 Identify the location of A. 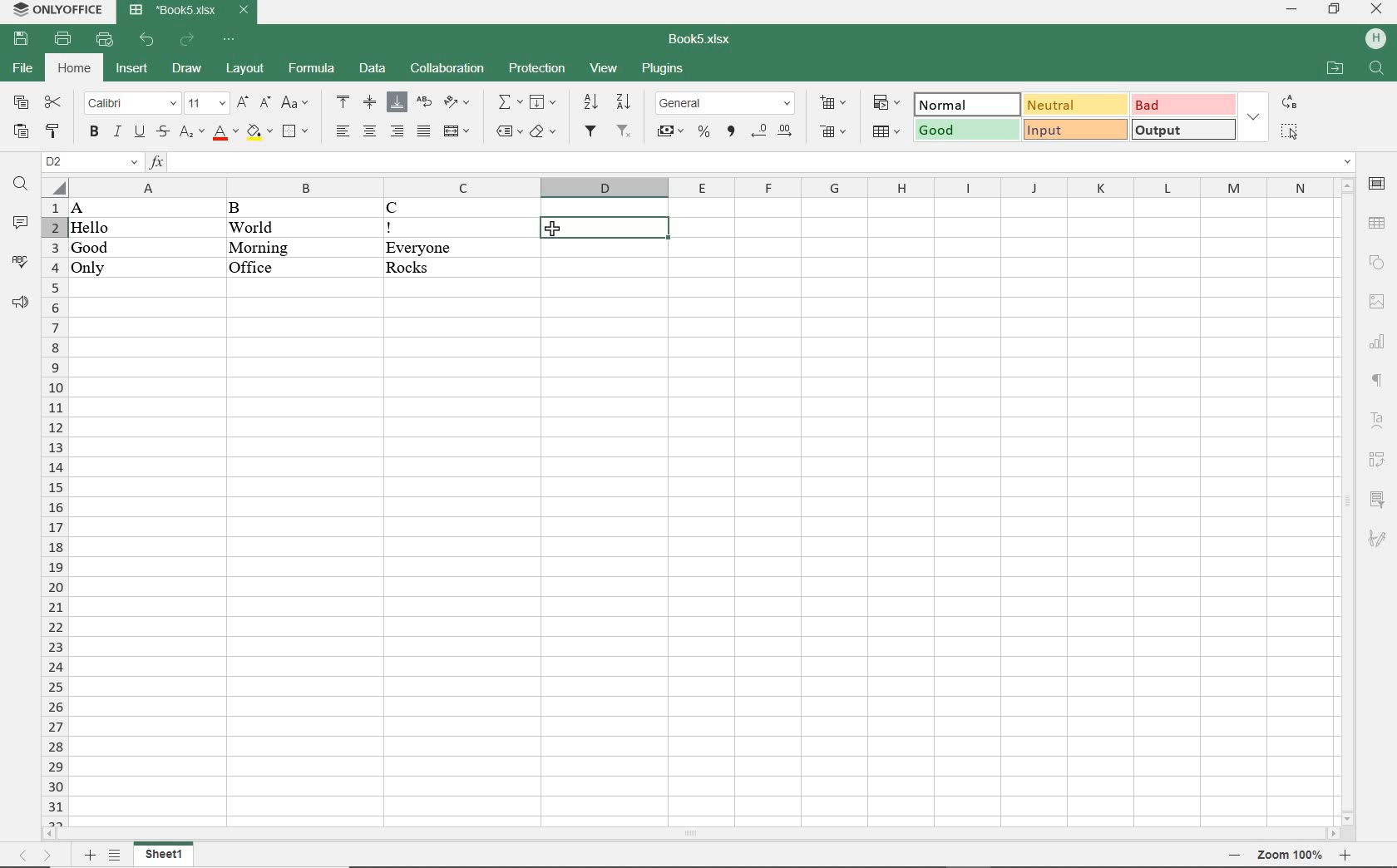
(93, 209).